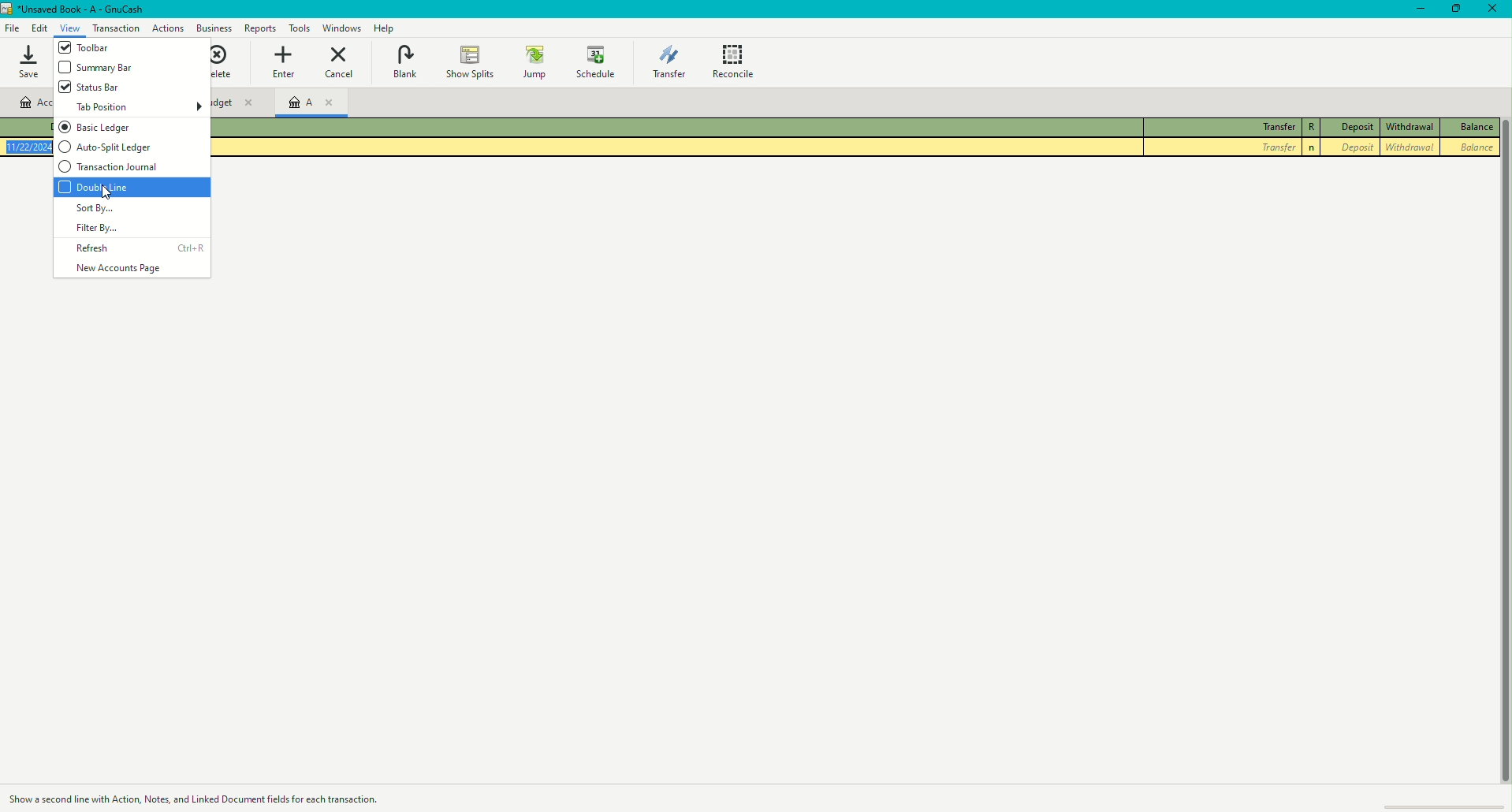  I want to click on Toolbar, so click(134, 49).